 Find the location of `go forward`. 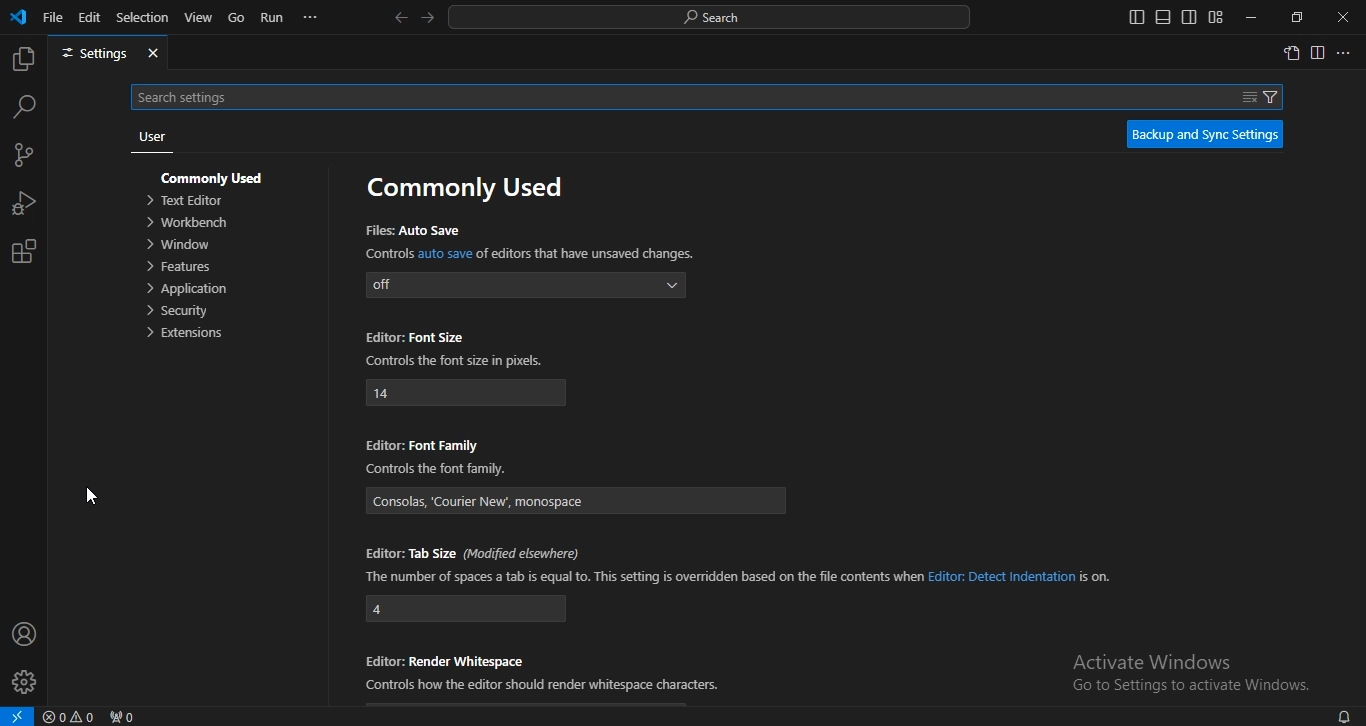

go forward is located at coordinates (429, 16).